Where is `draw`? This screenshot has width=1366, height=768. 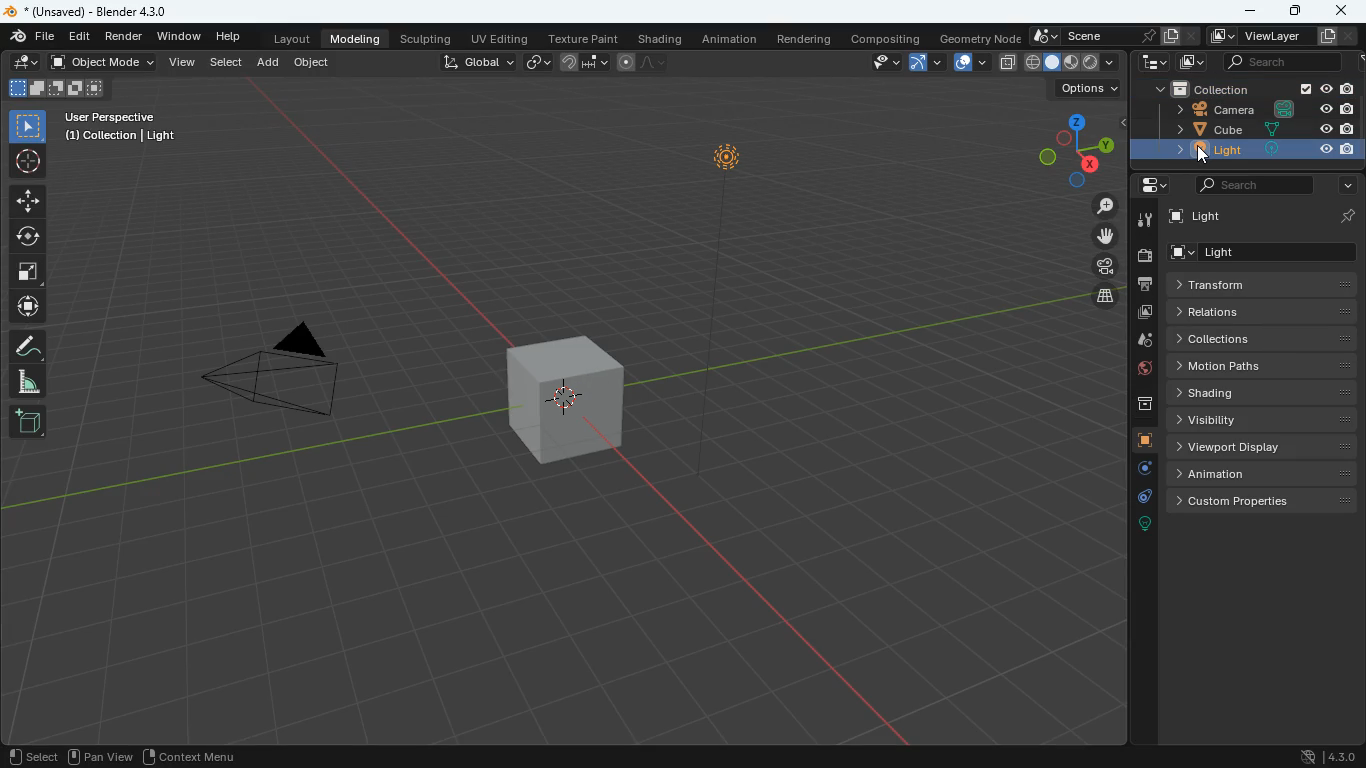
draw is located at coordinates (27, 345).